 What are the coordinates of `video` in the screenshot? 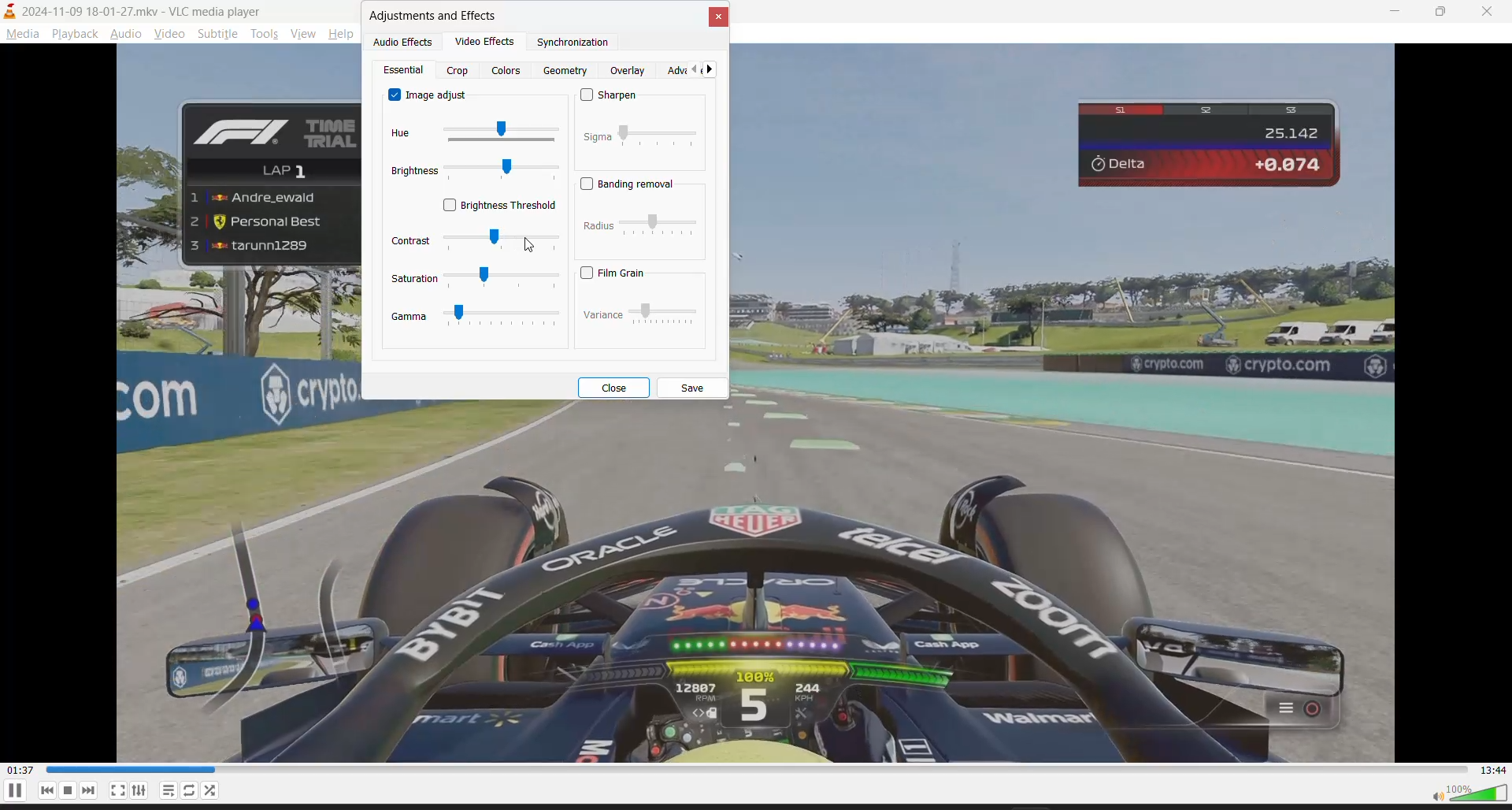 It's located at (165, 34).